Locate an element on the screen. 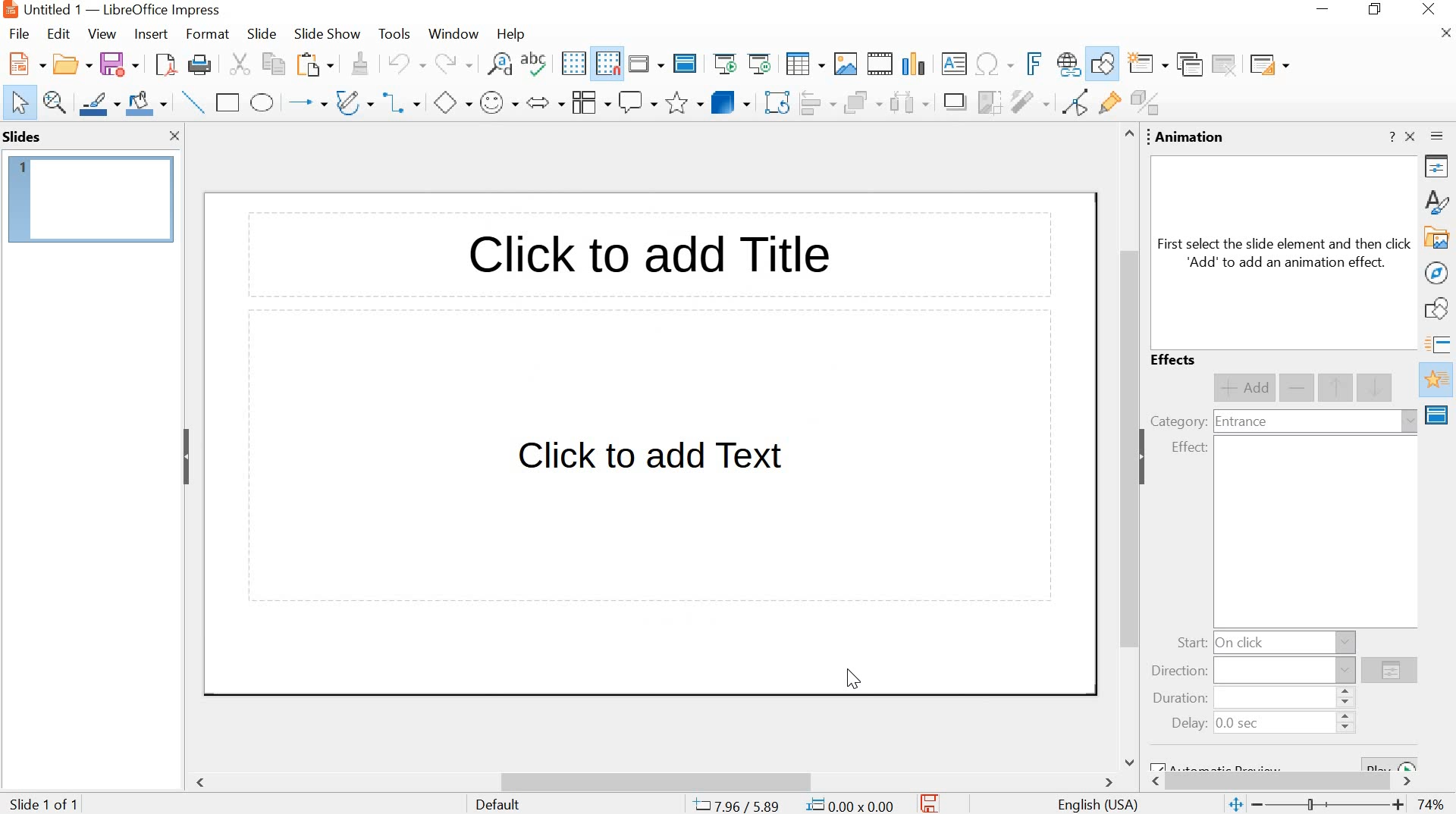 The height and width of the screenshot is (814, 1456). remove effect is located at coordinates (1298, 389).